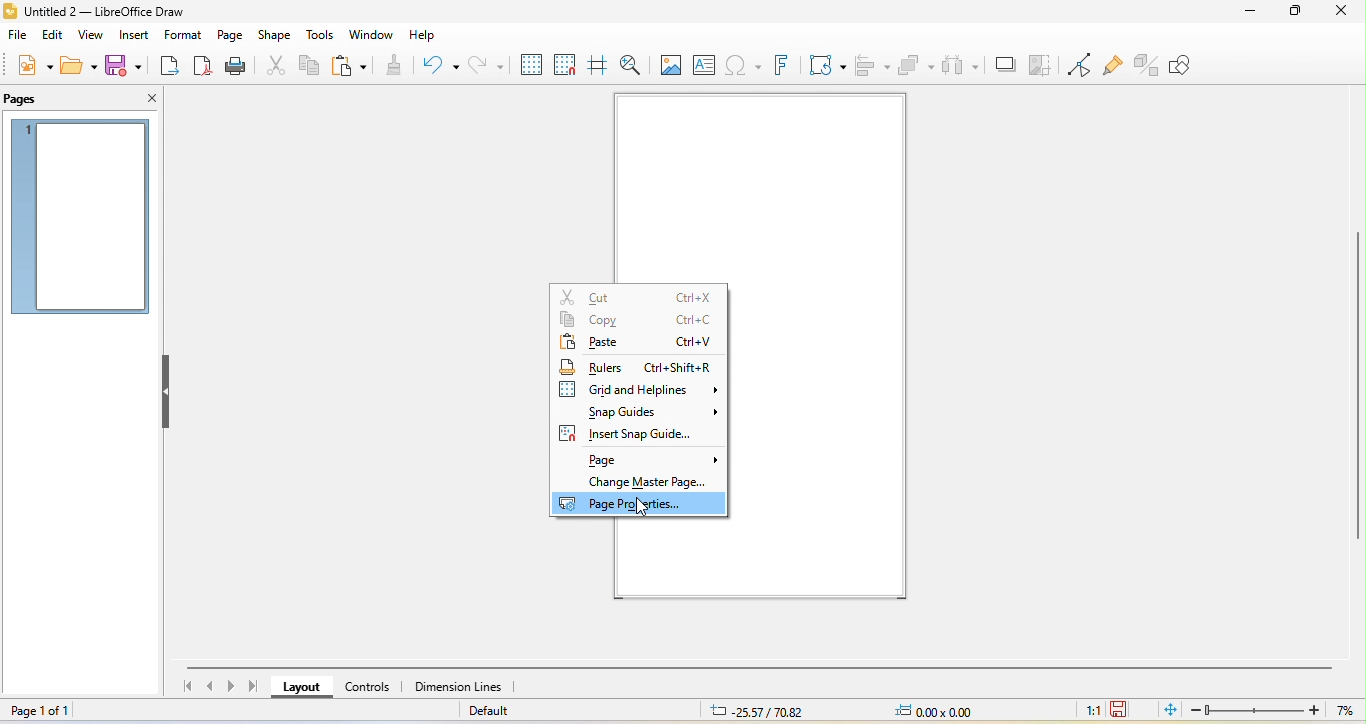 This screenshot has width=1366, height=724. I want to click on show gluepoint function, so click(1110, 66).